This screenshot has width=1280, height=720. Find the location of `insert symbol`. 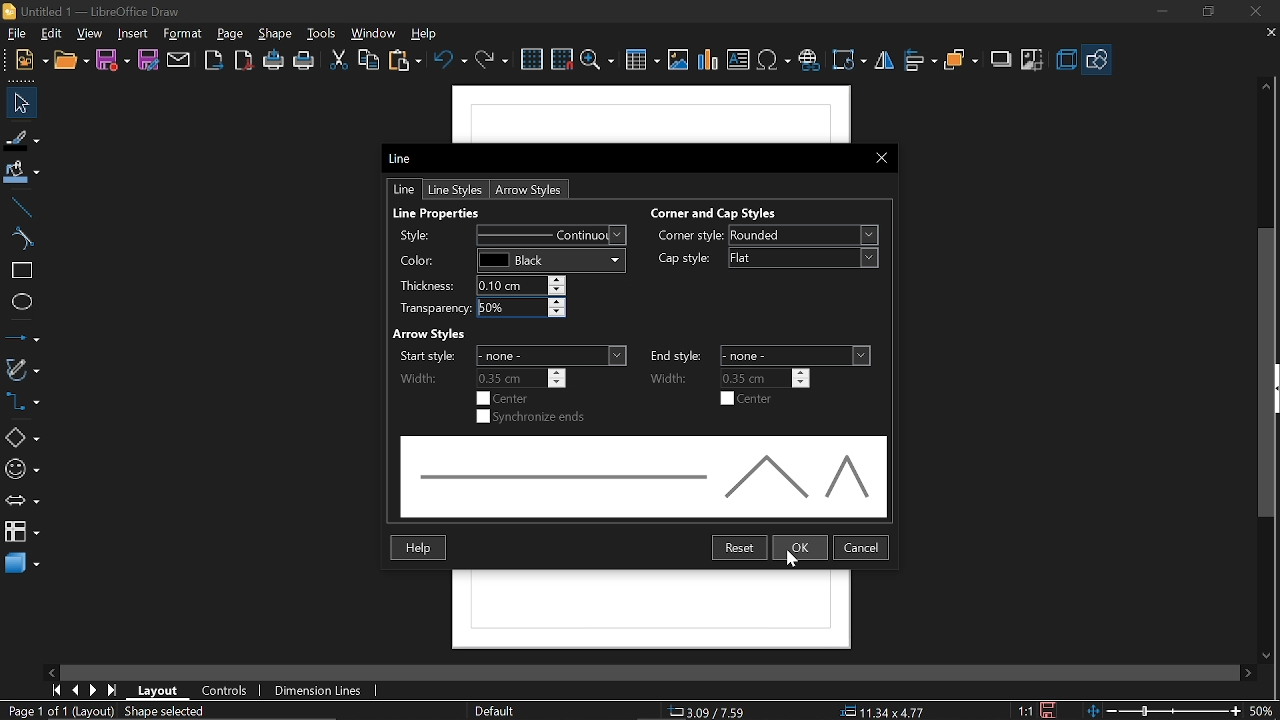

insert symbol is located at coordinates (774, 59).